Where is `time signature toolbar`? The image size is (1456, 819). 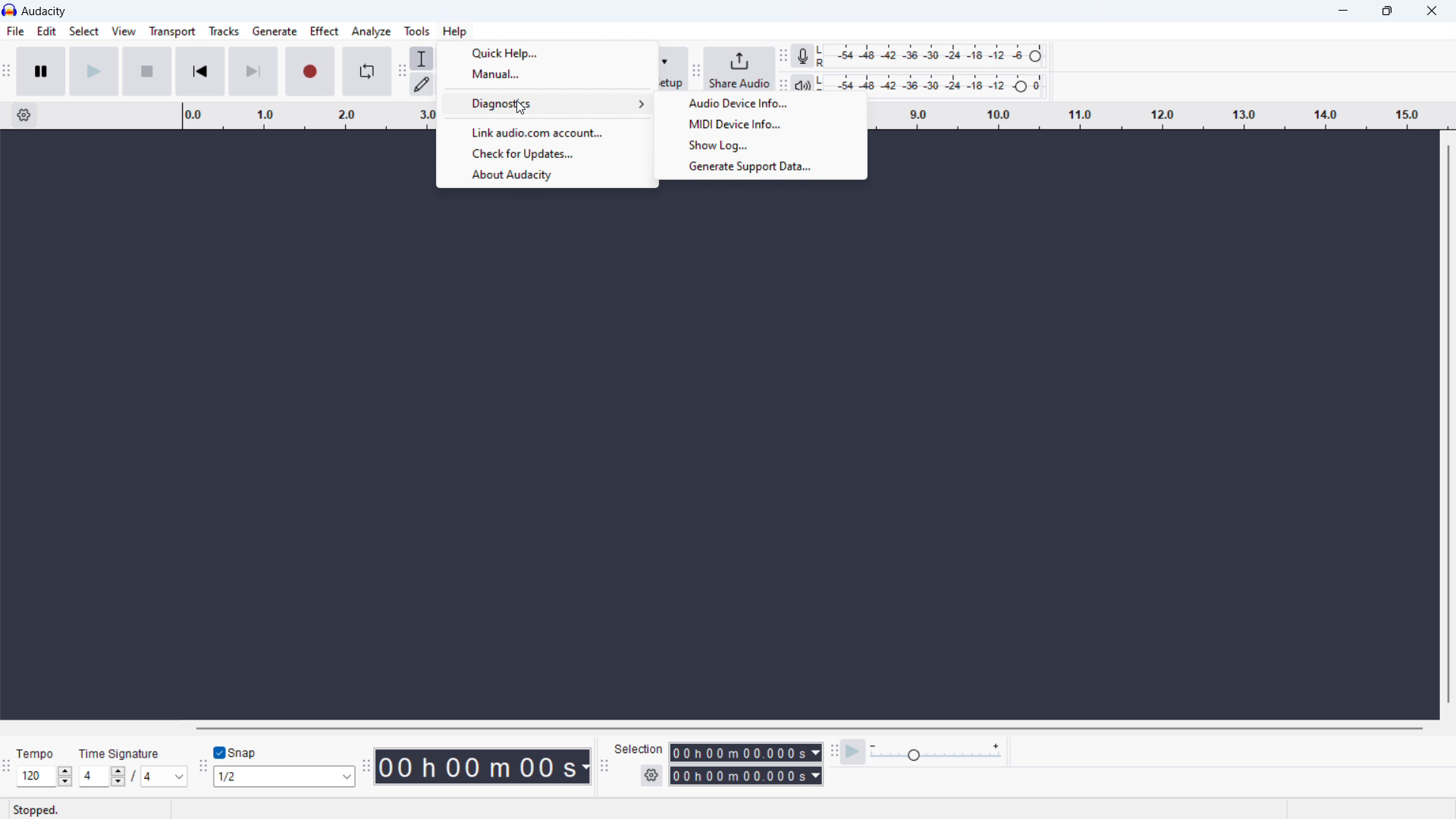 time signature toolbar is located at coordinates (7, 768).